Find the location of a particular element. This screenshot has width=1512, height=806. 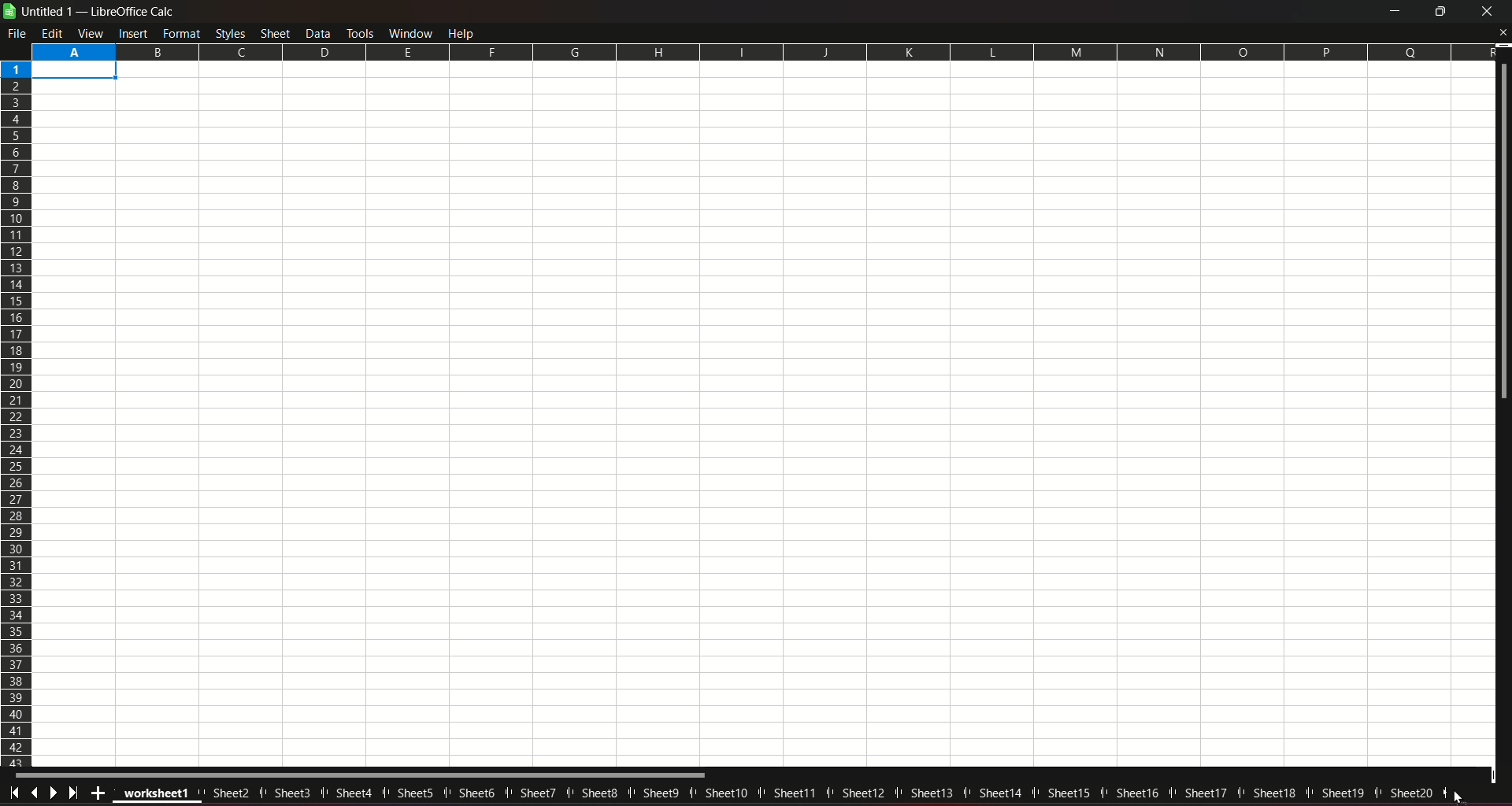

insert is located at coordinates (132, 33).